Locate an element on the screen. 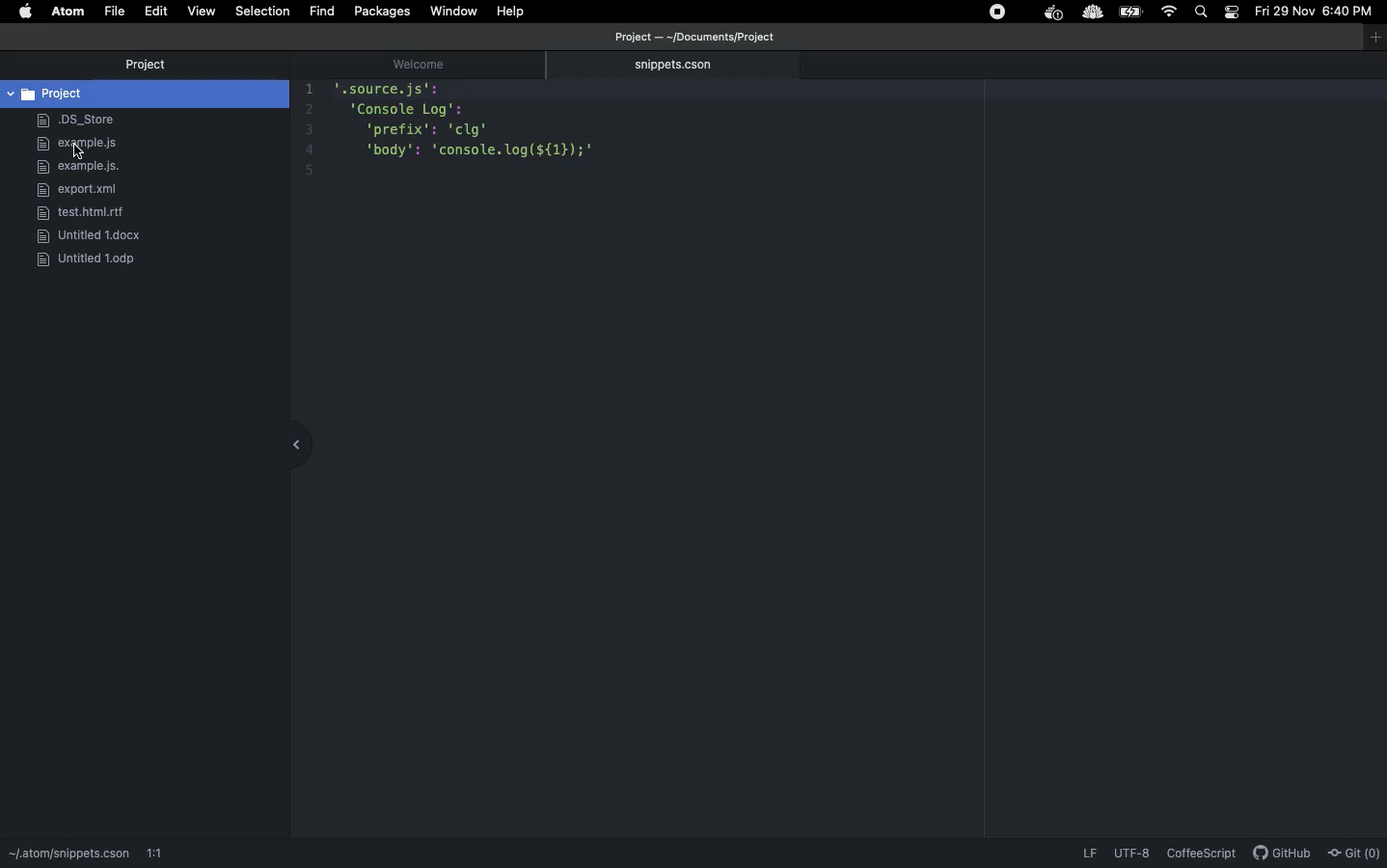 This screenshot has width=1387, height=868. Help is located at coordinates (511, 11).